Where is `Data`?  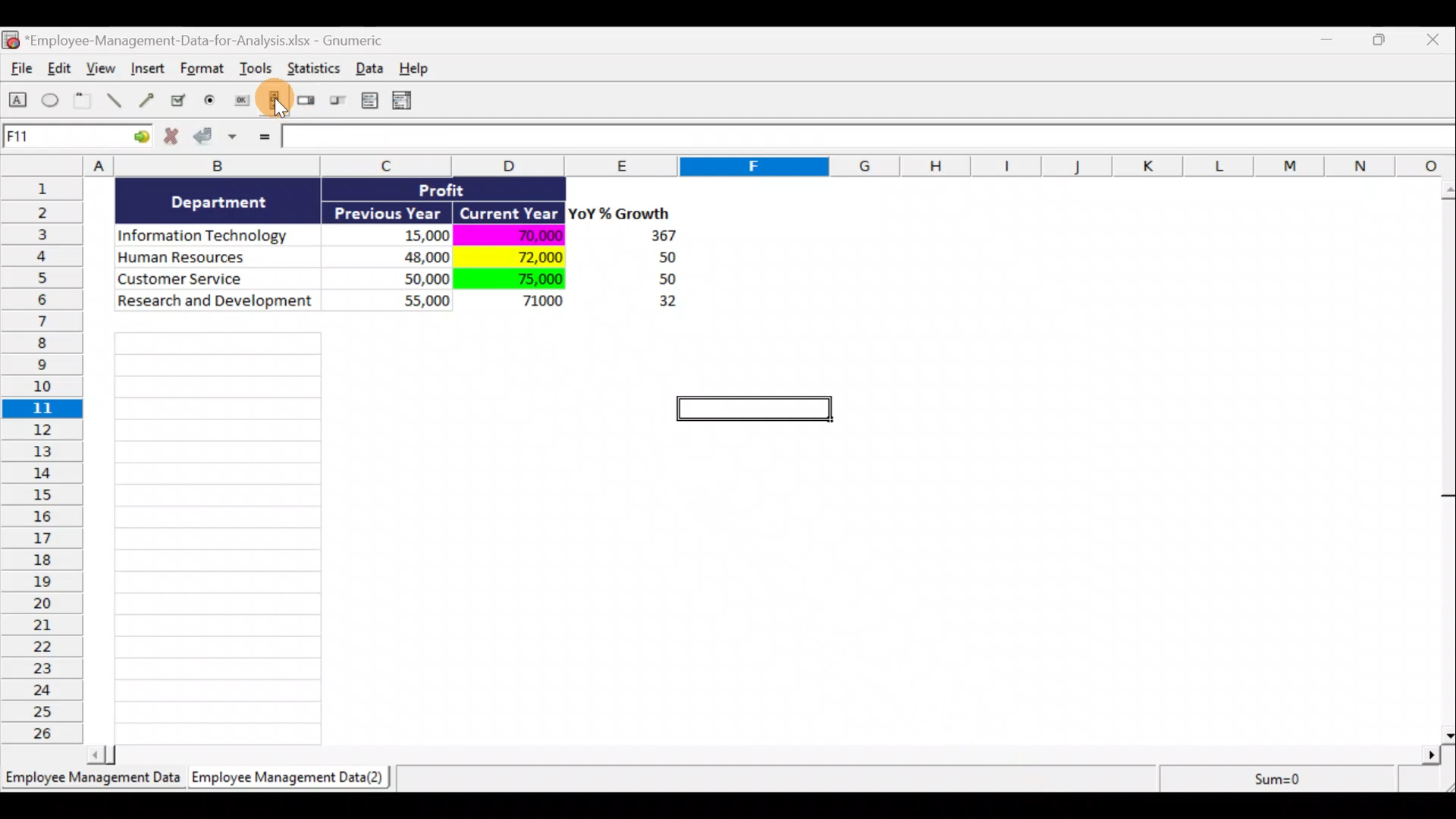
Data is located at coordinates (415, 256).